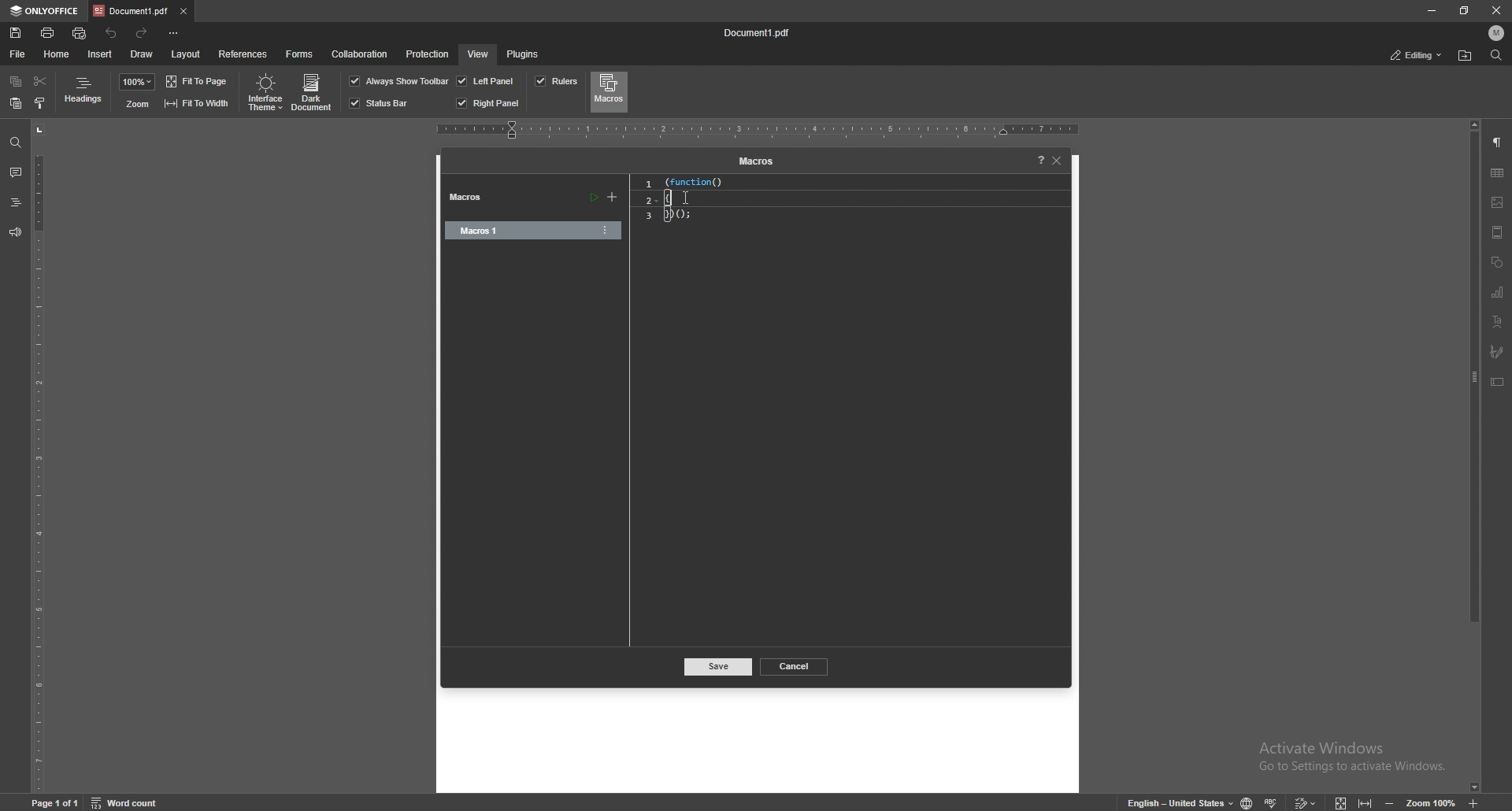 This screenshot has height=811, width=1512. What do you see at coordinates (399, 80) in the screenshot?
I see `always show toolbar` at bounding box center [399, 80].